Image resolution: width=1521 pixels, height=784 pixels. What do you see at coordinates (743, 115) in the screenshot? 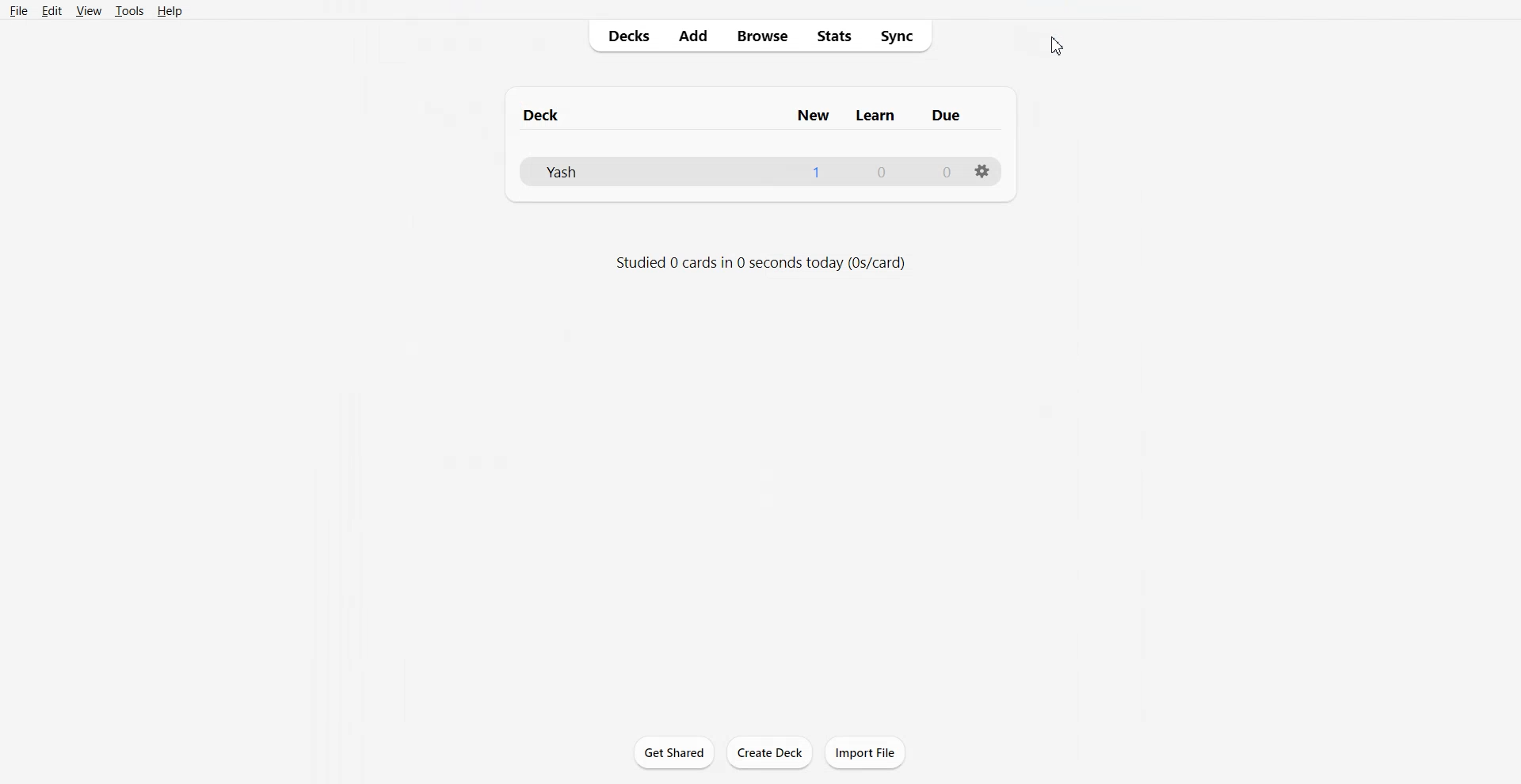
I see `Text` at bounding box center [743, 115].